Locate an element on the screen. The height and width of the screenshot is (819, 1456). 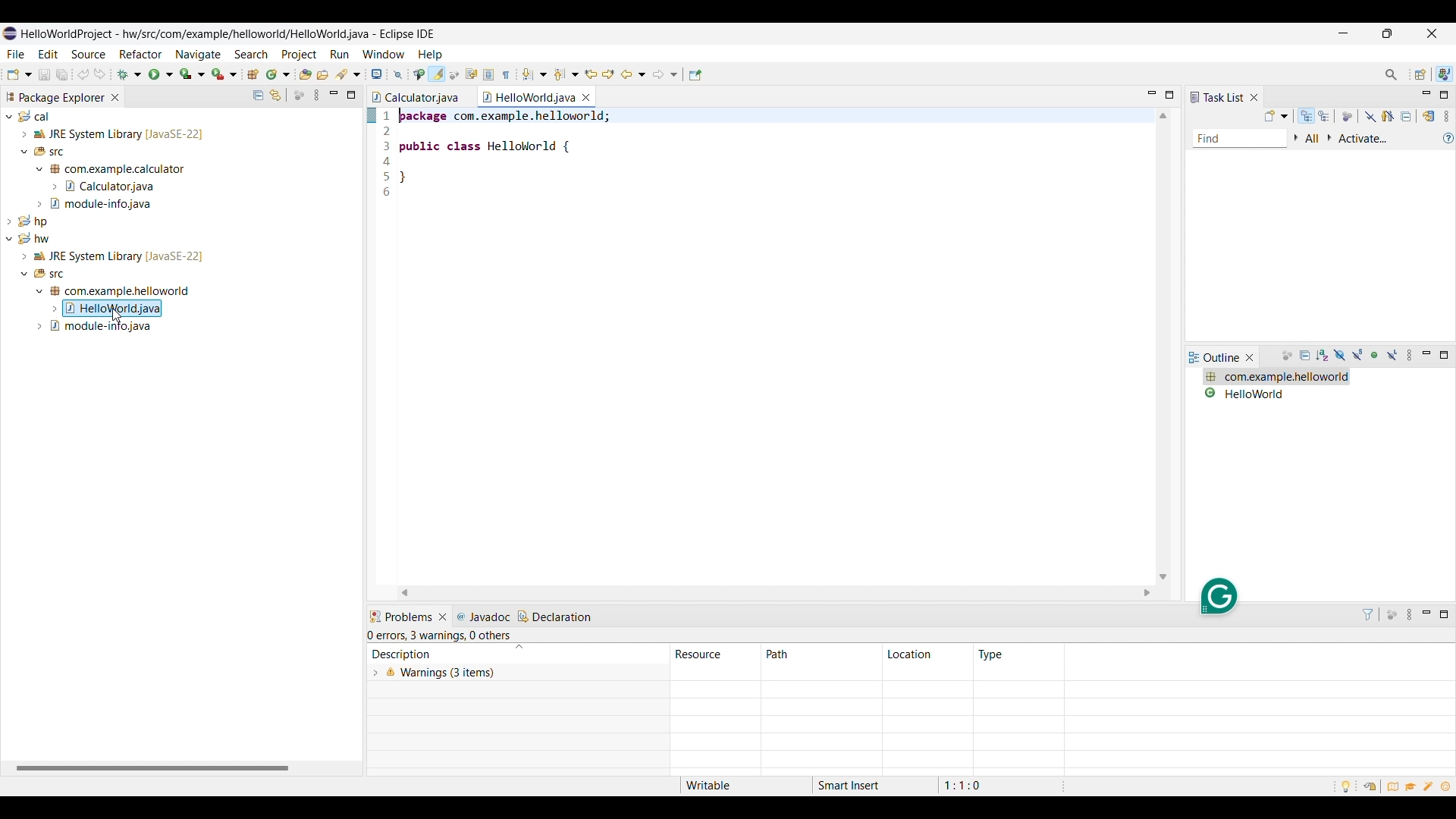
outline is located at coordinates (1215, 358).